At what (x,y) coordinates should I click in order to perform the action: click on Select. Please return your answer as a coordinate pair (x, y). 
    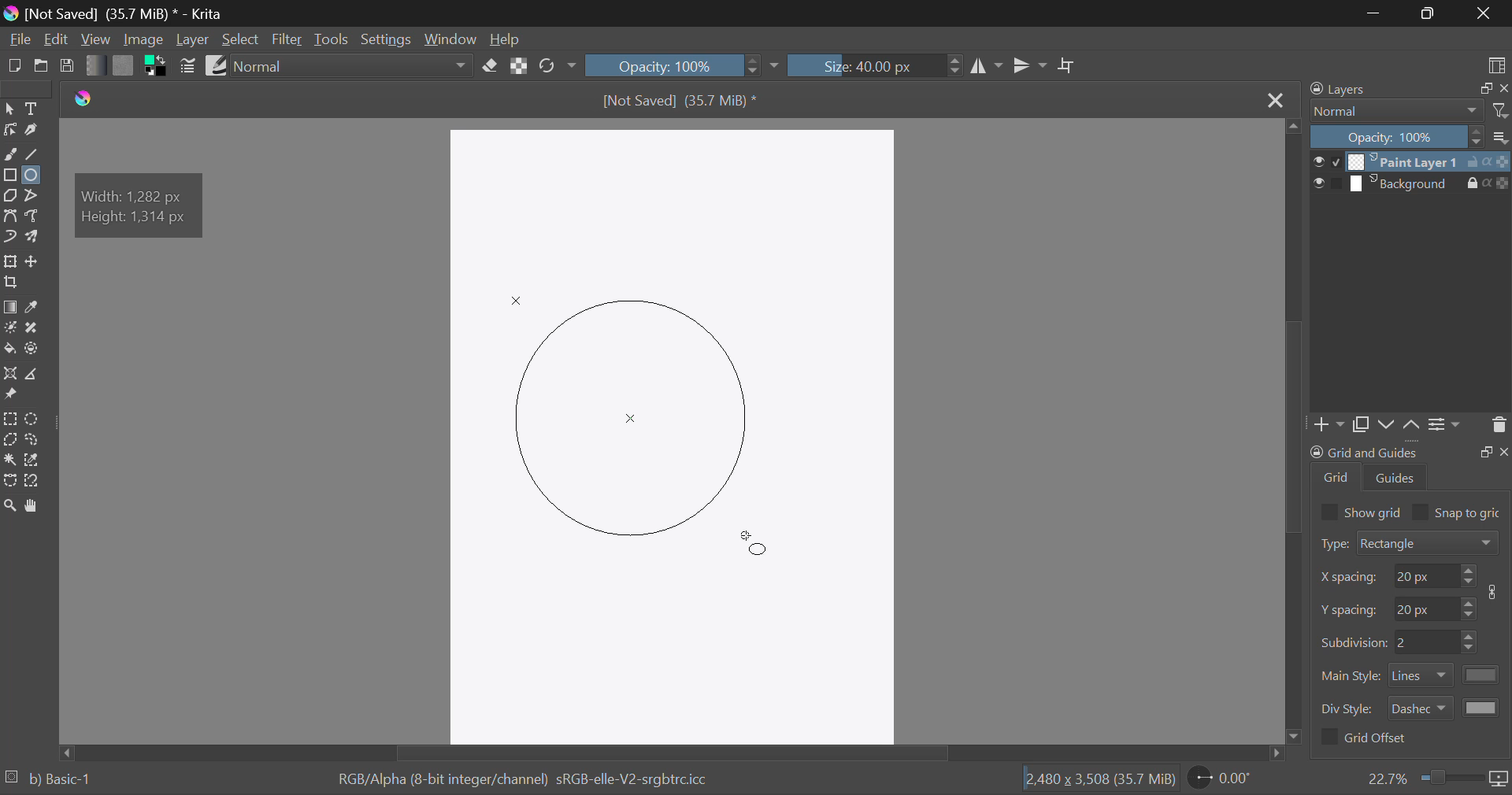
    Looking at the image, I should click on (241, 39).